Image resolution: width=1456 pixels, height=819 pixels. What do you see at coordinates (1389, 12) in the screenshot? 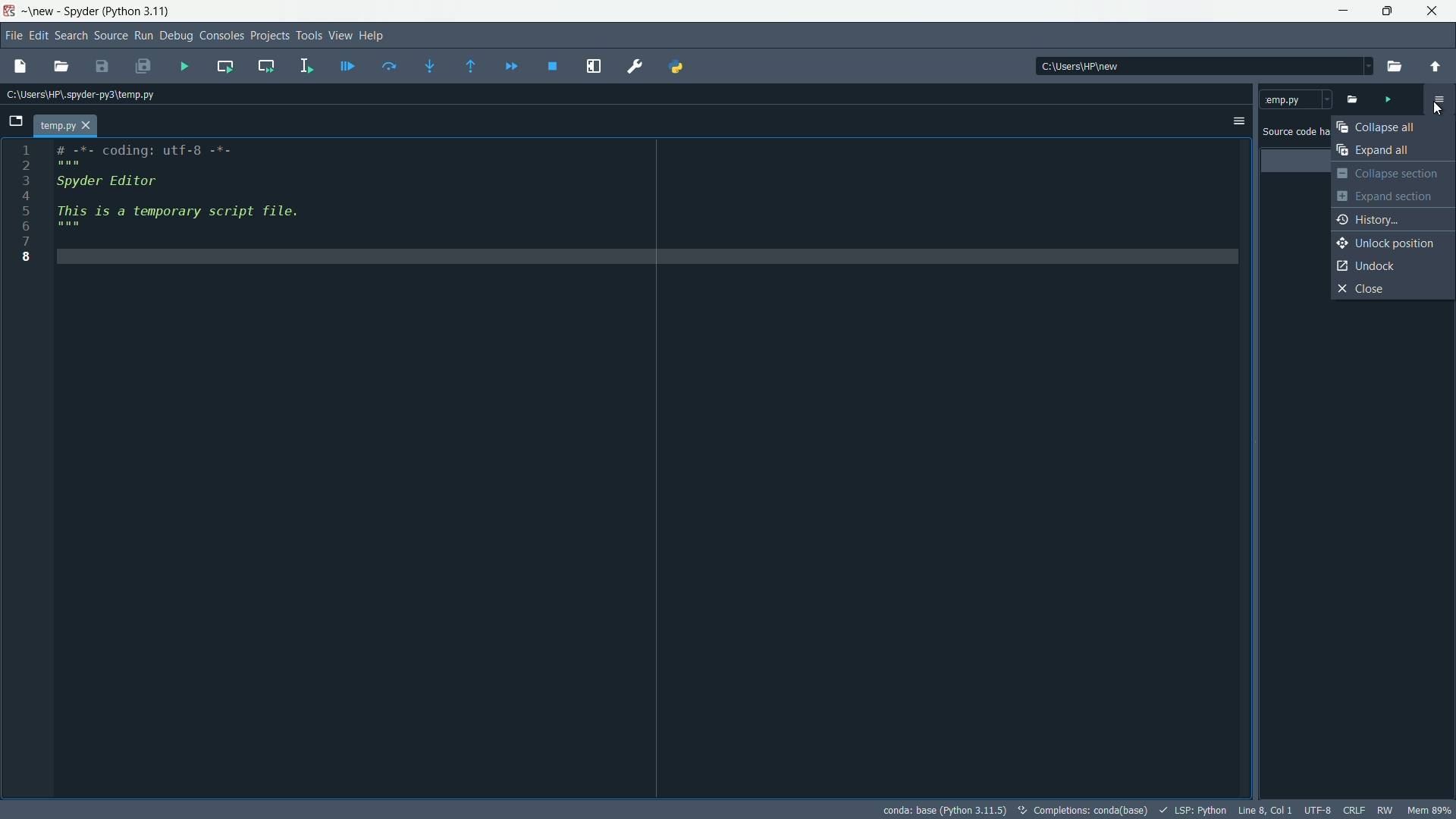
I see `maximize` at bounding box center [1389, 12].